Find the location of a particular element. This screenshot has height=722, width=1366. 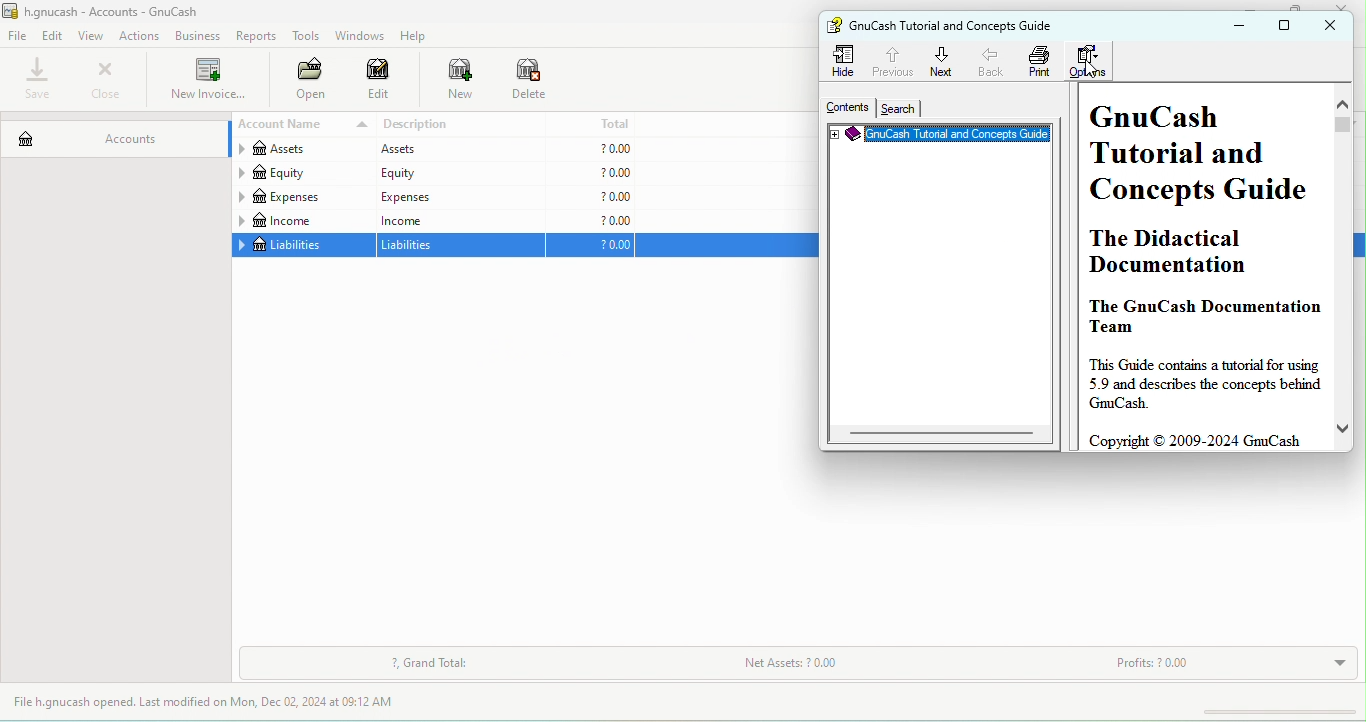

file is located at coordinates (18, 37).